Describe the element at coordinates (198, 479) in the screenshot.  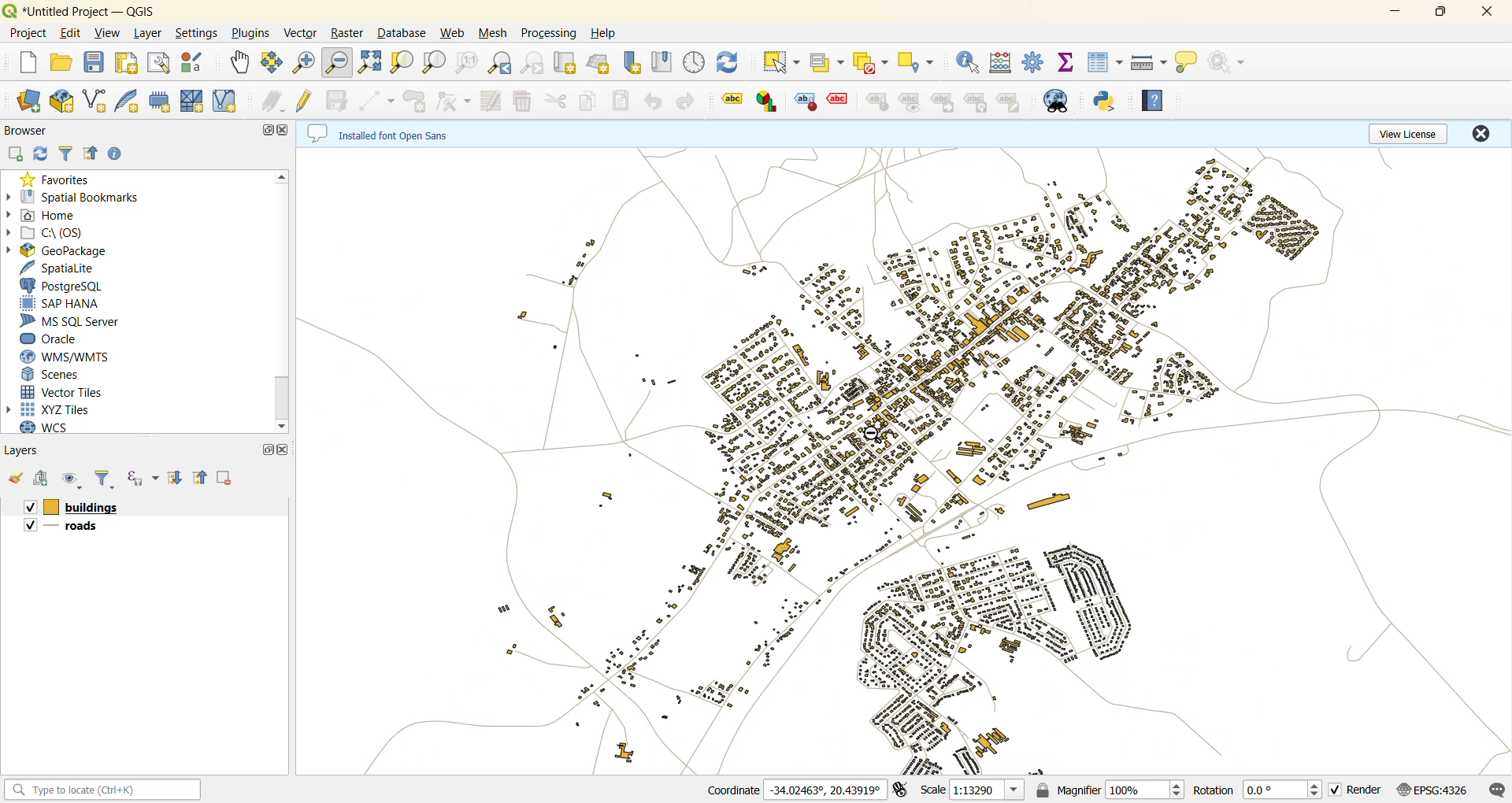
I see `collapse all` at that location.